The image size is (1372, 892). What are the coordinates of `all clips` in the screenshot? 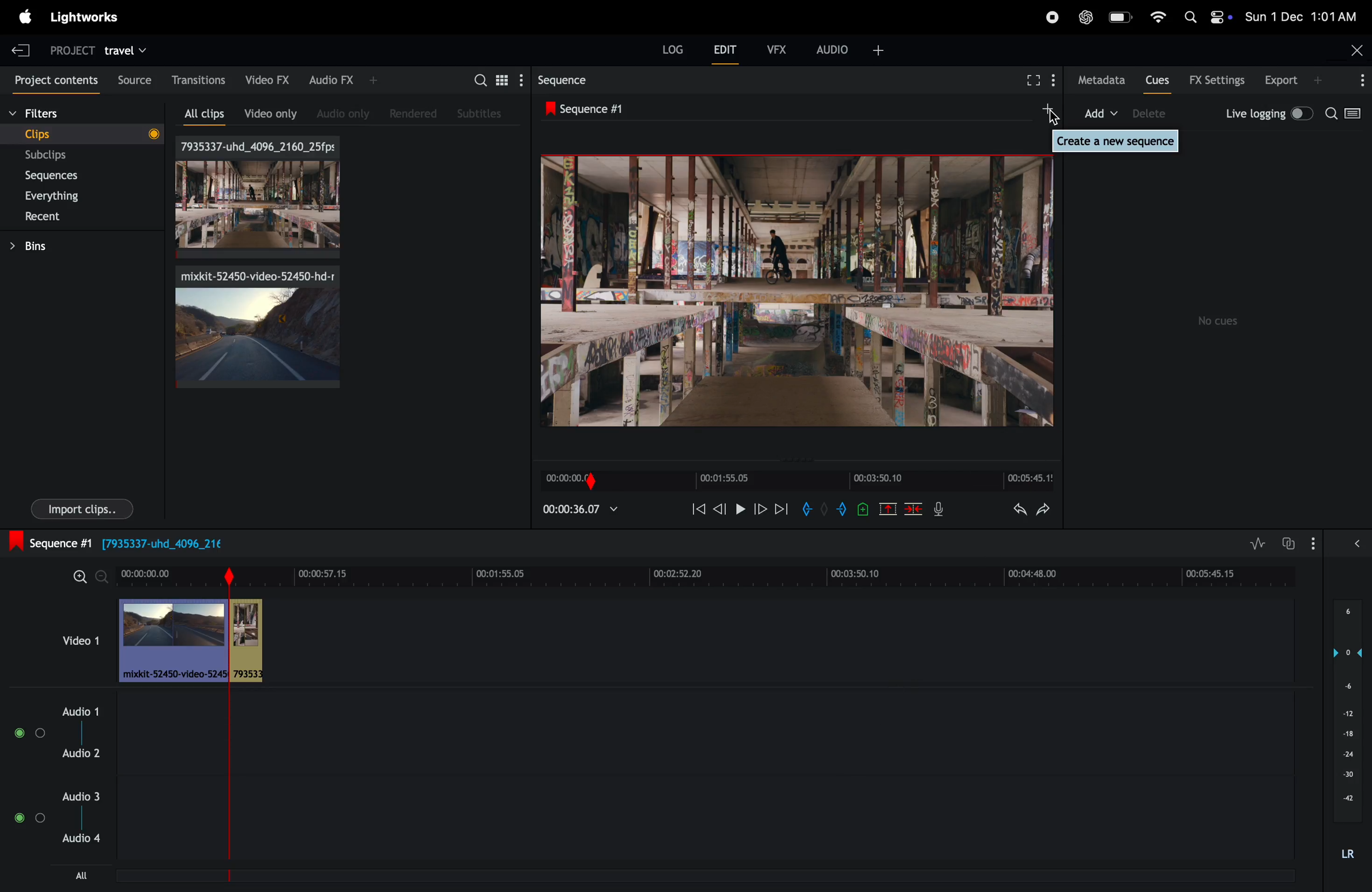 It's located at (208, 114).